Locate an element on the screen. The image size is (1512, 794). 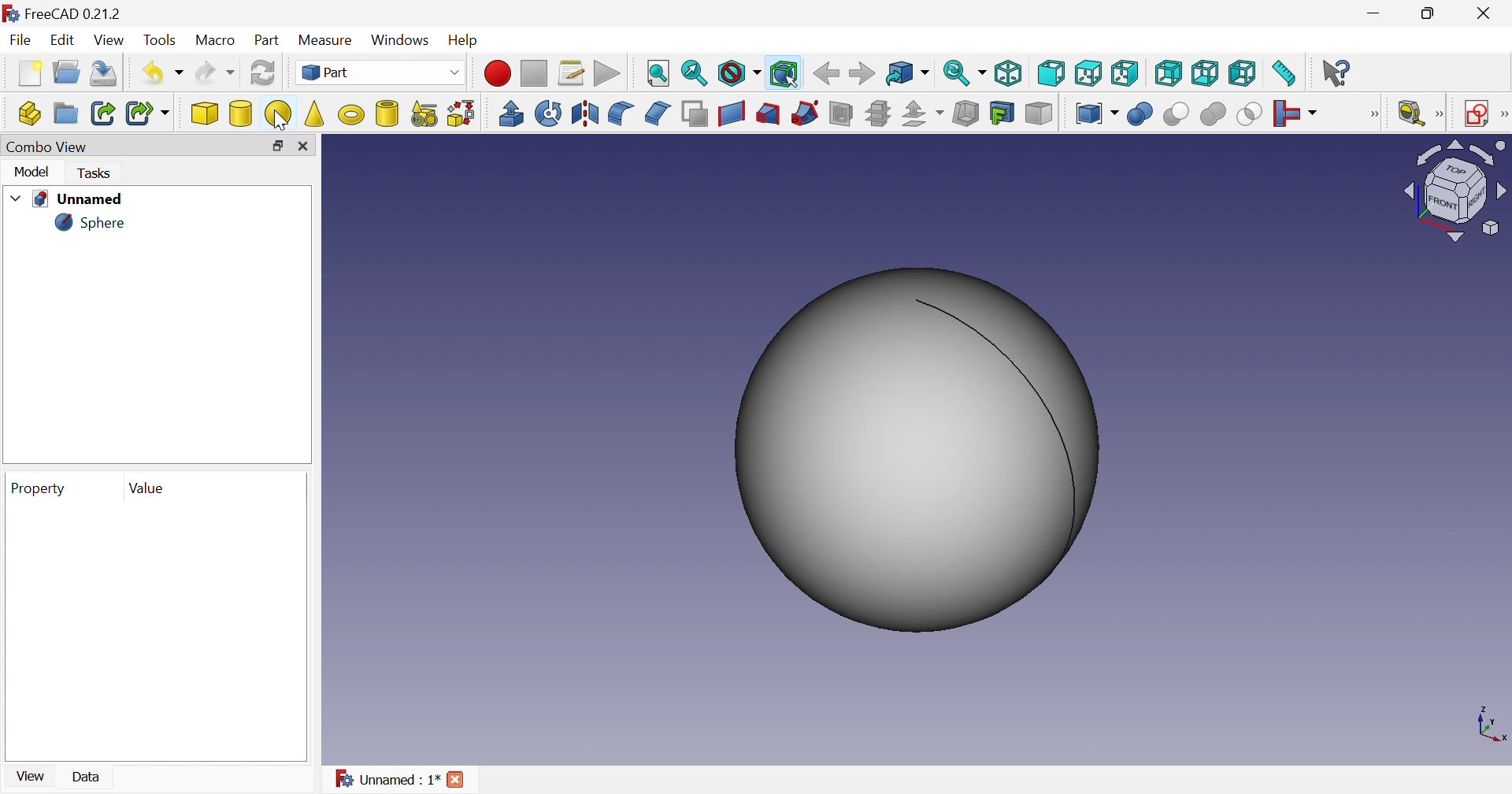
Make sub-link is located at coordinates (148, 113).